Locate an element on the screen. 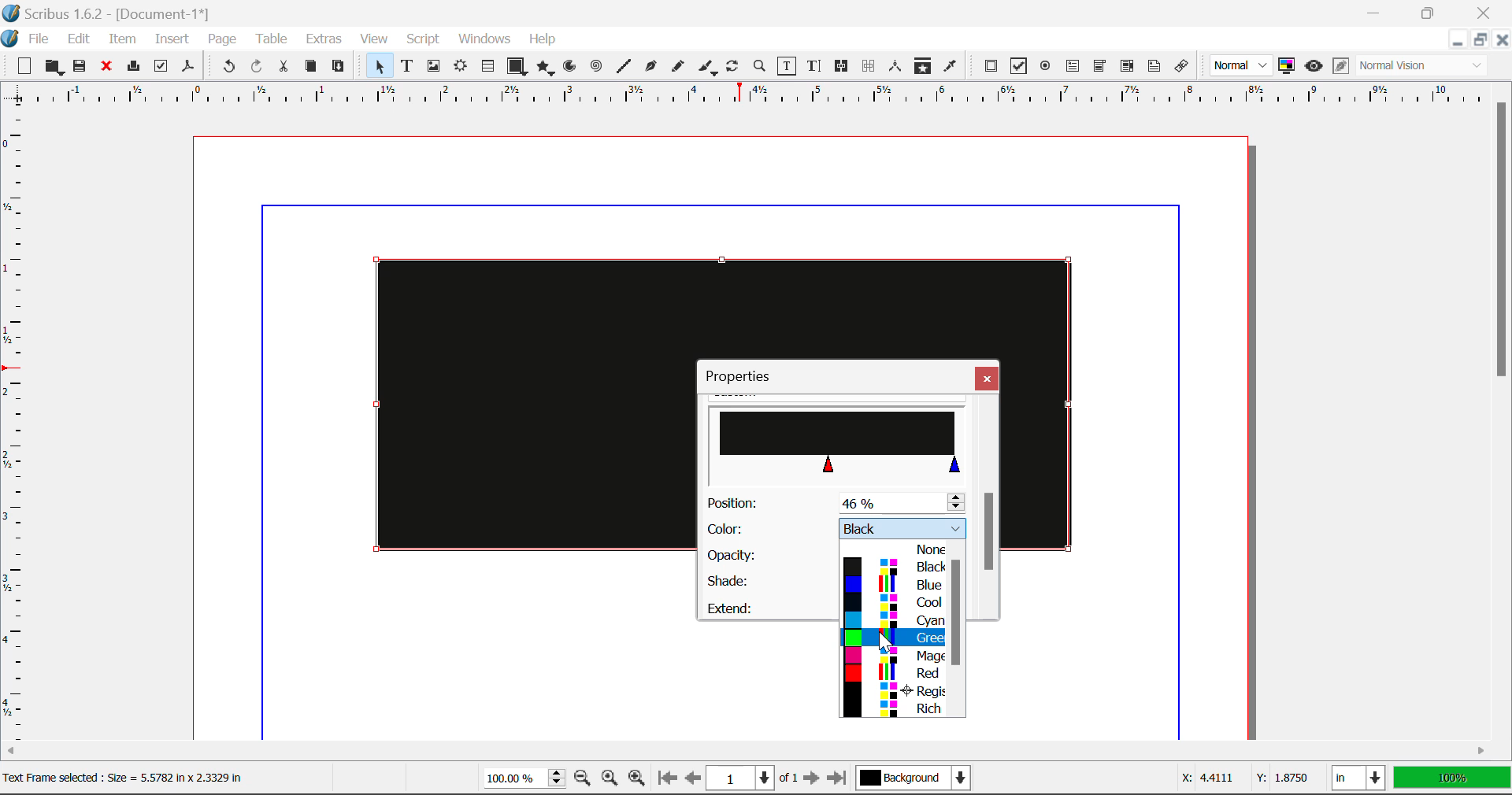  Scroll Bar is located at coordinates (1503, 411).